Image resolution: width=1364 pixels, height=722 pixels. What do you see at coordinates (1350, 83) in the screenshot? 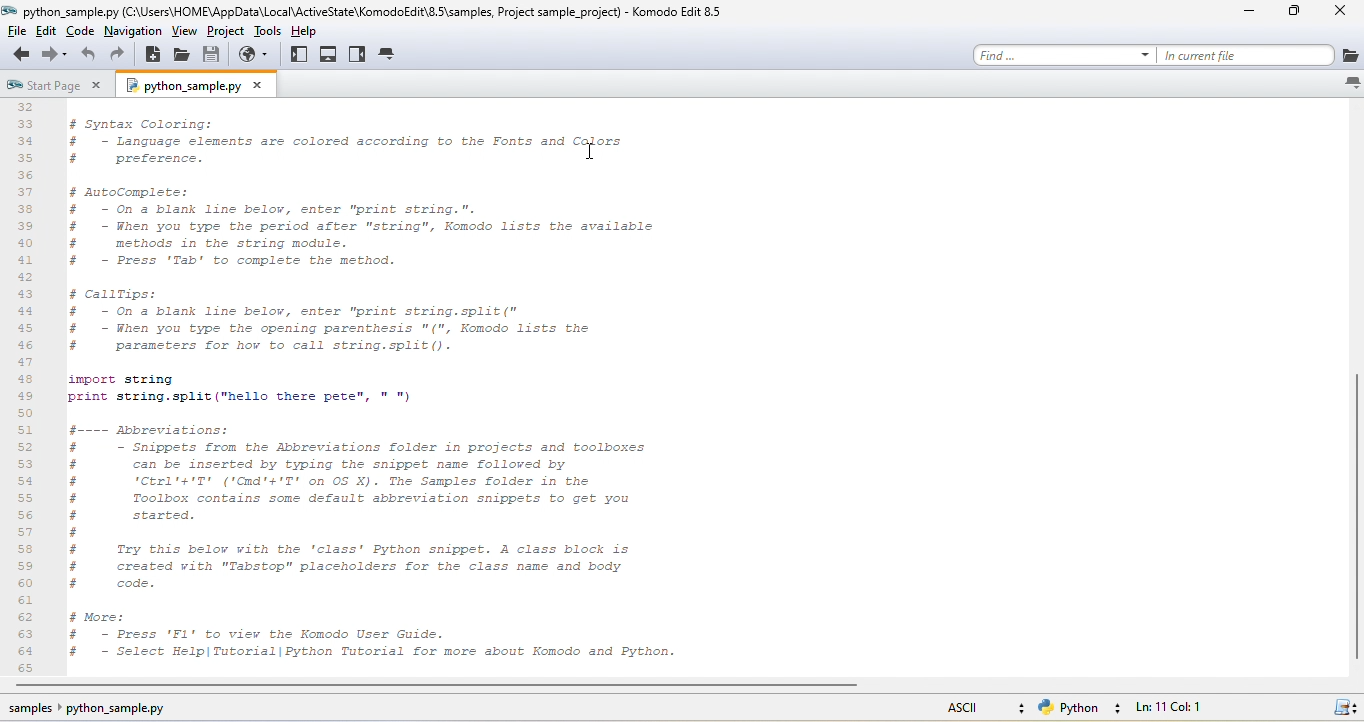
I see `list all tabs` at bounding box center [1350, 83].